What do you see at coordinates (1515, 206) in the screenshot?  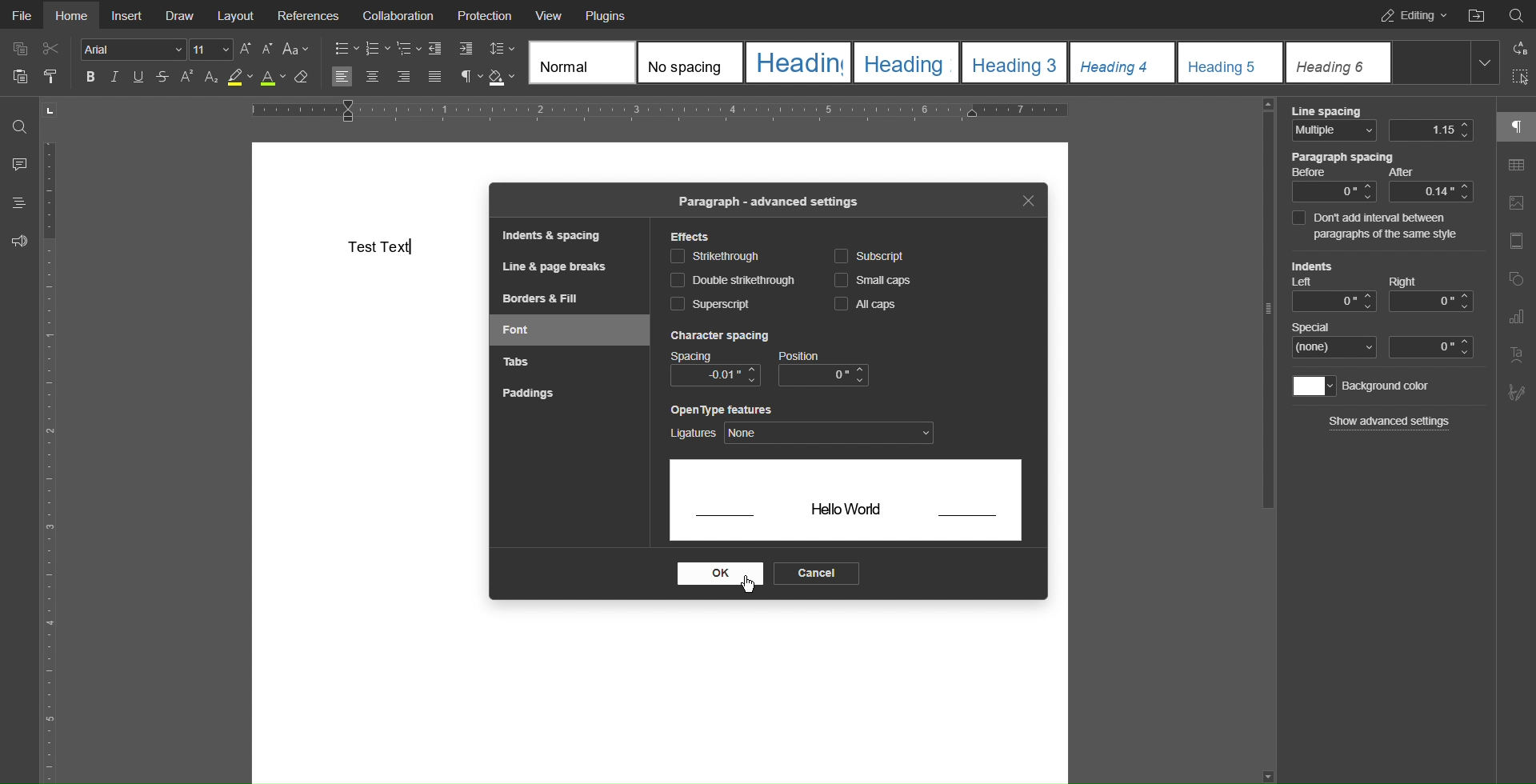 I see `Image Settings` at bounding box center [1515, 206].